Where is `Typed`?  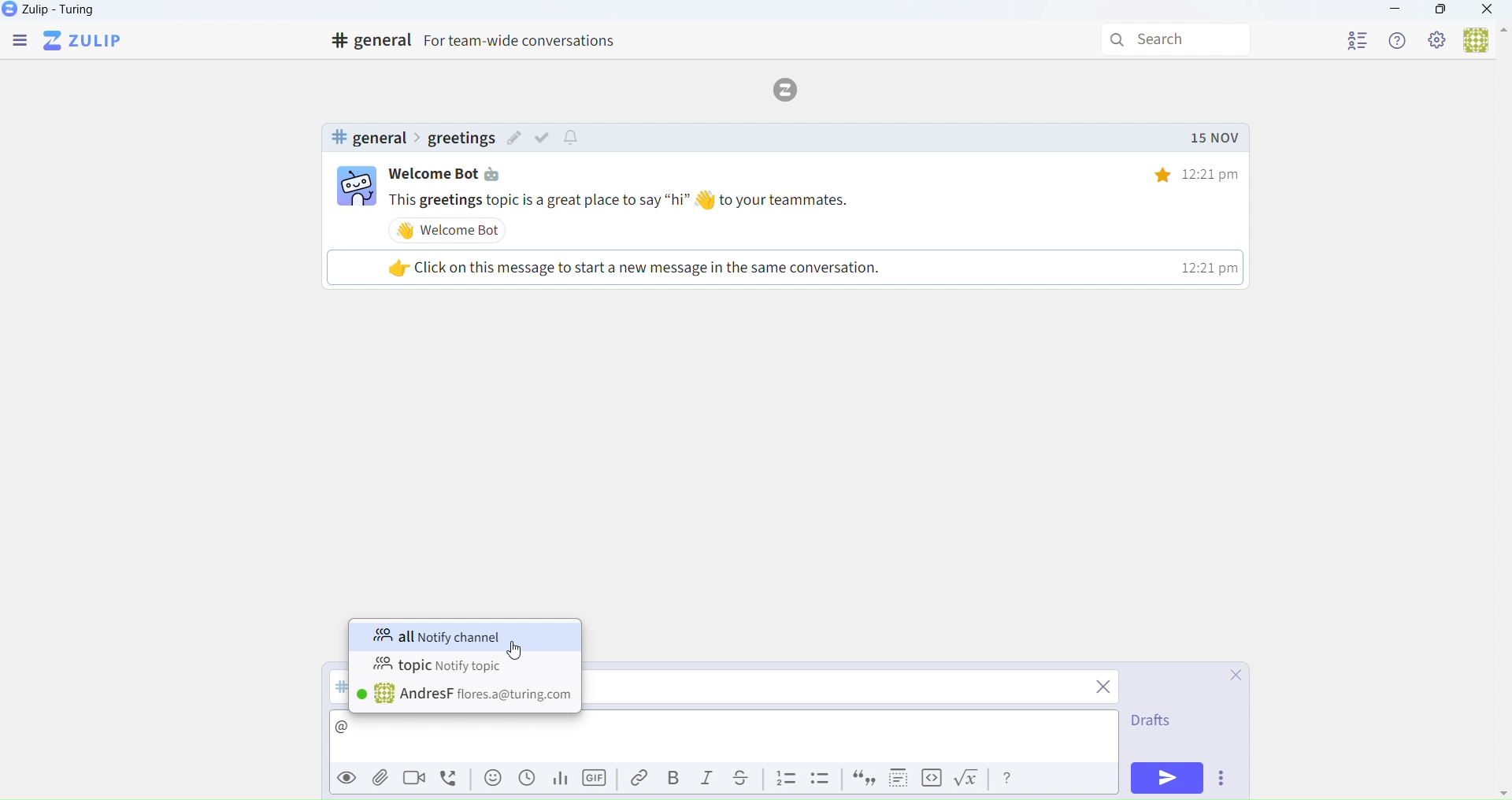 Typed is located at coordinates (365, 728).